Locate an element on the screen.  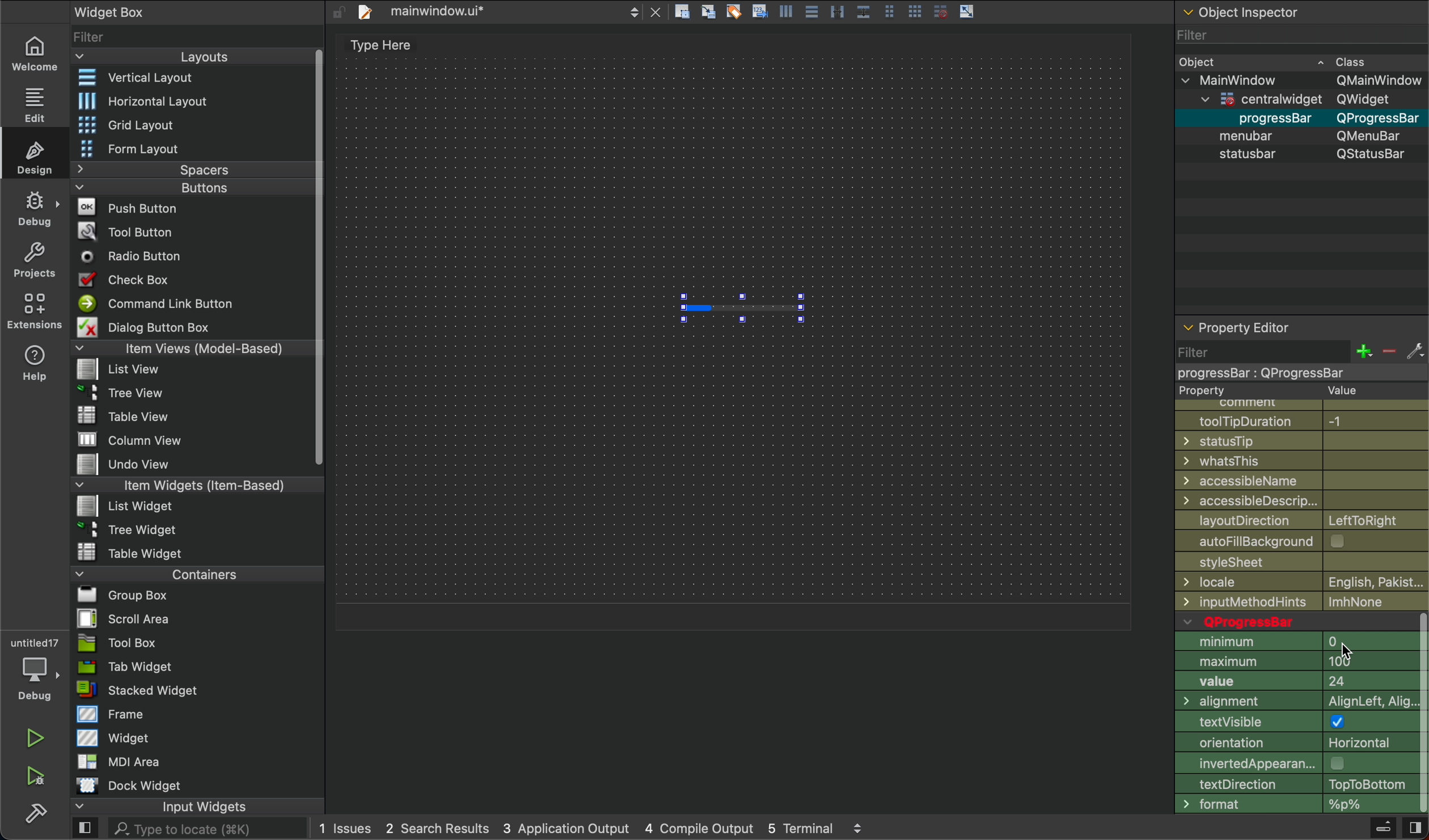
close sidebar is located at coordinates (1414, 828).